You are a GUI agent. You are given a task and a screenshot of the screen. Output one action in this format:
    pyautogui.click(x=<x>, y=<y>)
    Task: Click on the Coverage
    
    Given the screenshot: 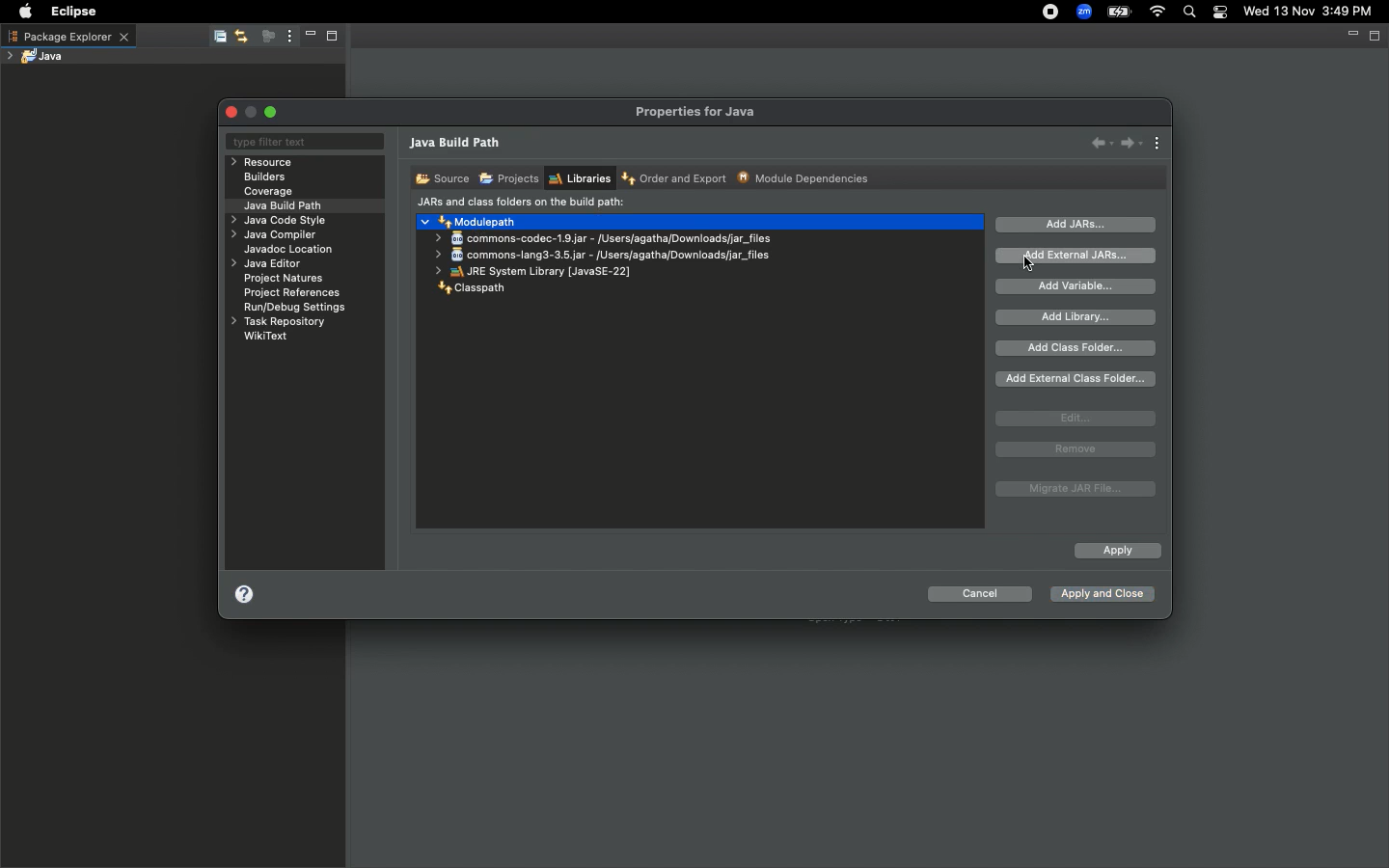 What is the action you would take?
    pyautogui.click(x=269, y=192)
    